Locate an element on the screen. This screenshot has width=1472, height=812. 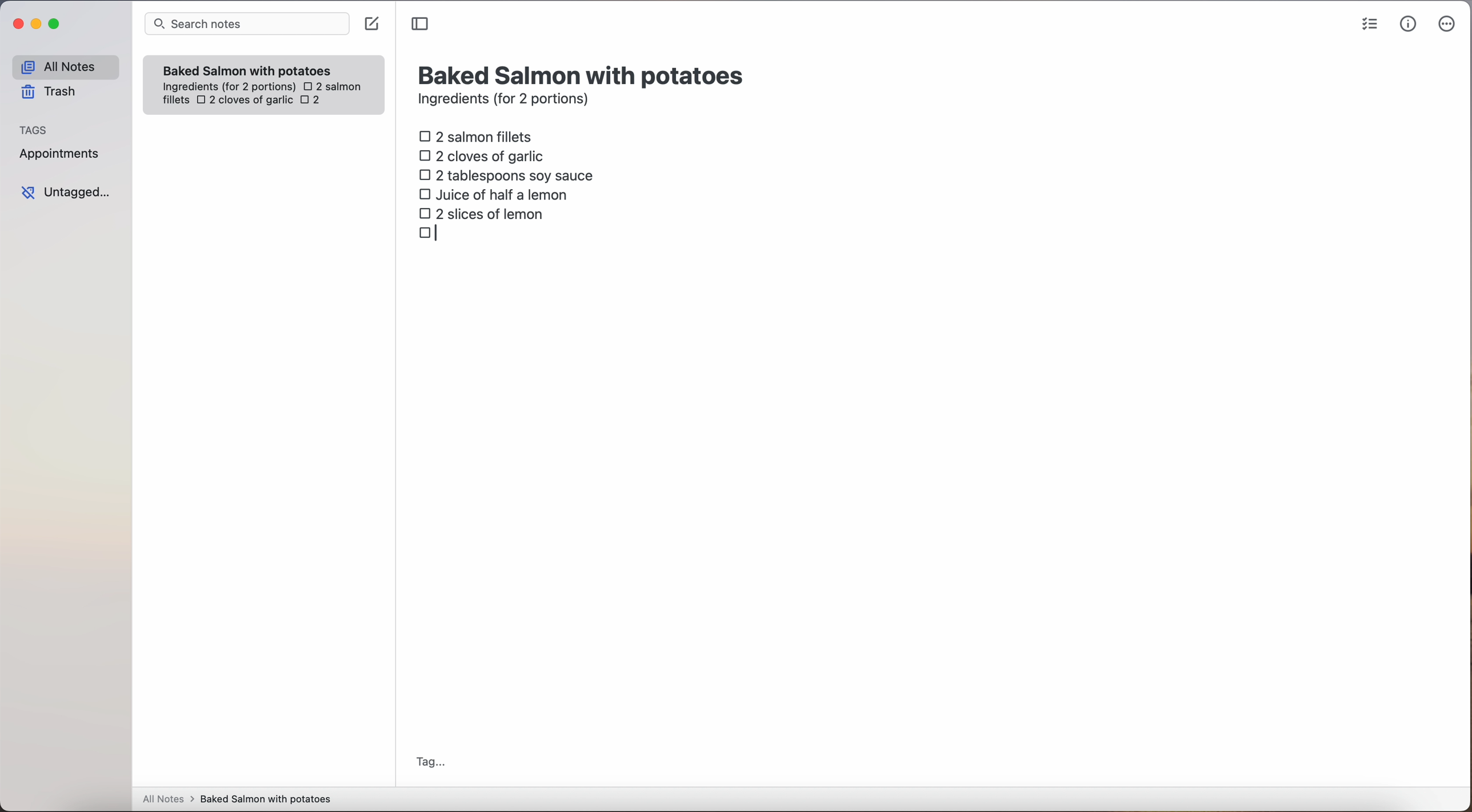
juice of half a lemon is located at coordinates (497, 194).